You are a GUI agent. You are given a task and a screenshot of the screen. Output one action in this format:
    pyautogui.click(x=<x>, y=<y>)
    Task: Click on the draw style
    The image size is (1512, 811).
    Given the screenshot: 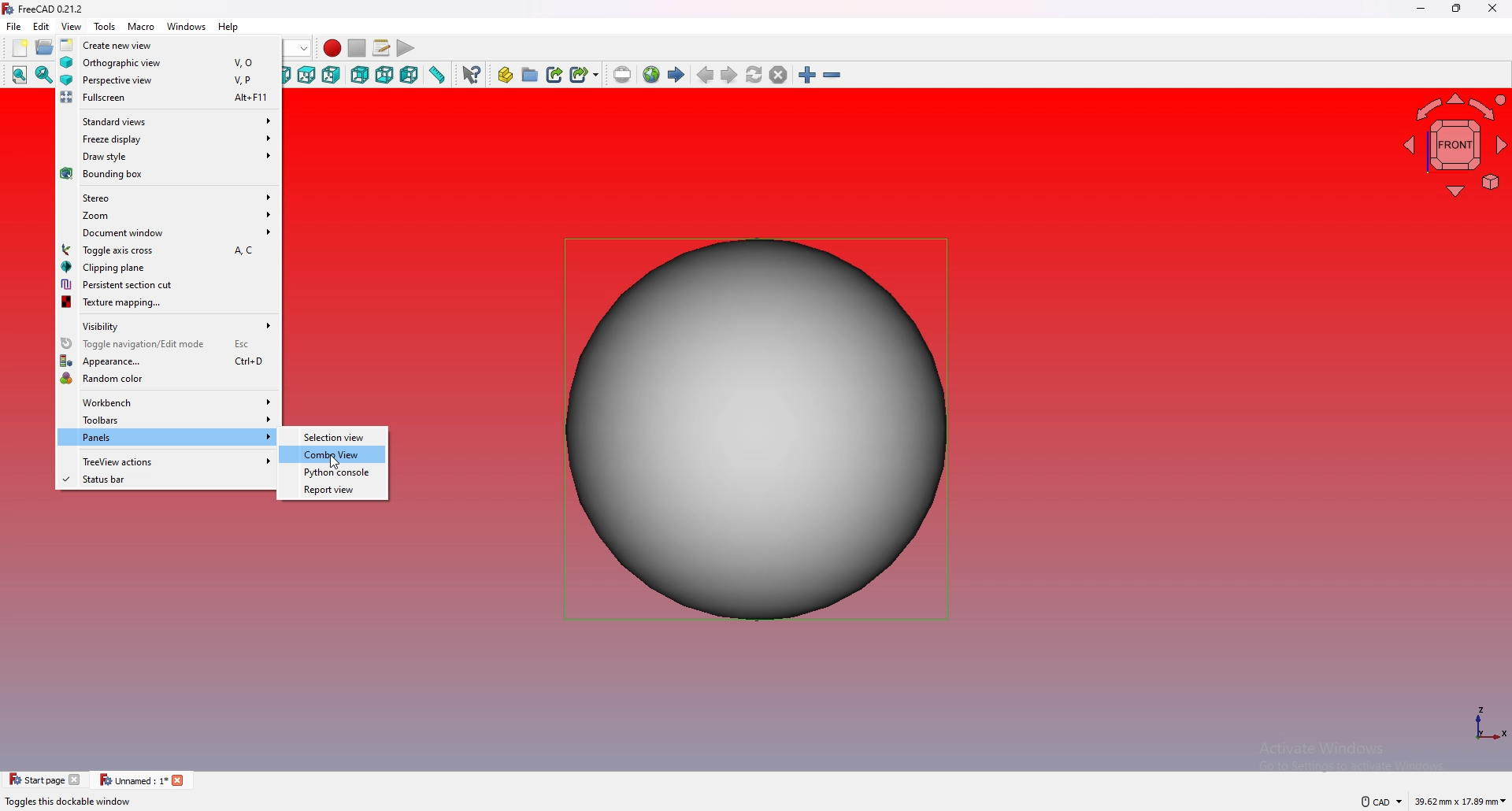 What is the action you would take?
    pyautogui.click(x=169, y=156)
    